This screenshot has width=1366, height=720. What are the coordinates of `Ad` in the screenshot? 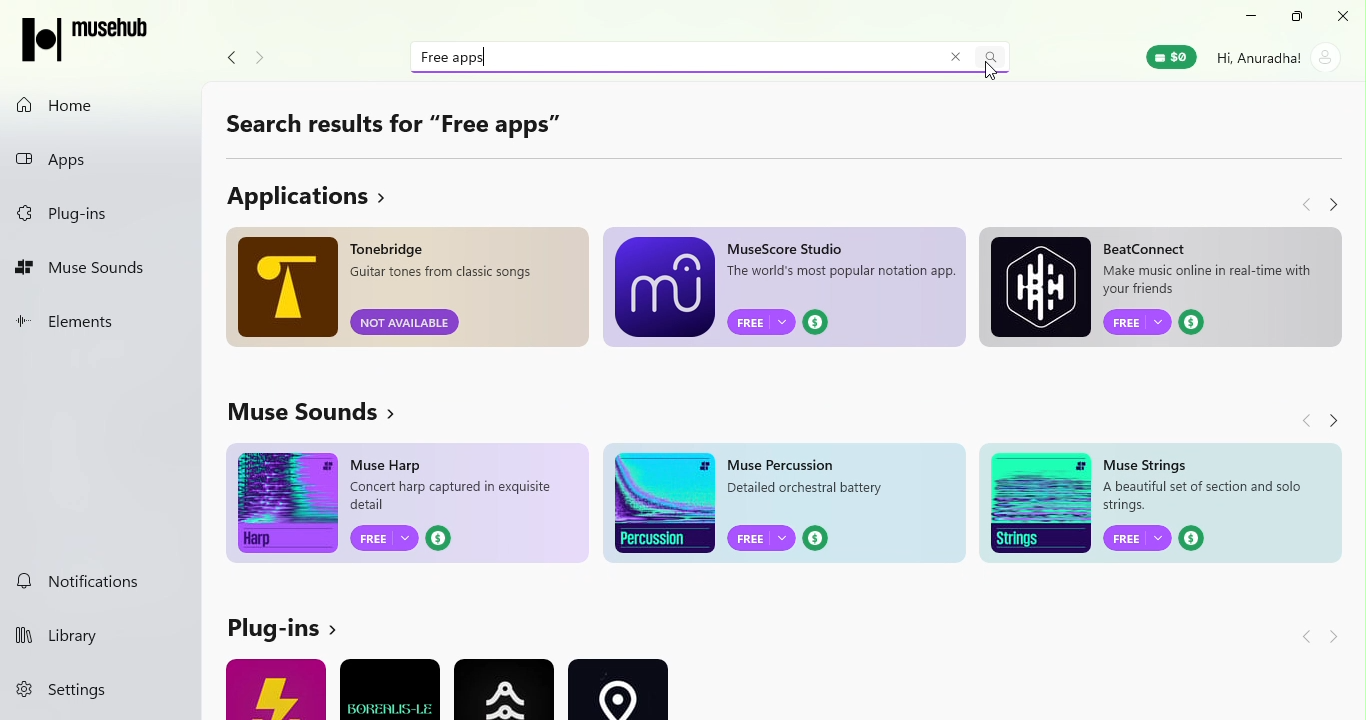 It's located at (786, 287).